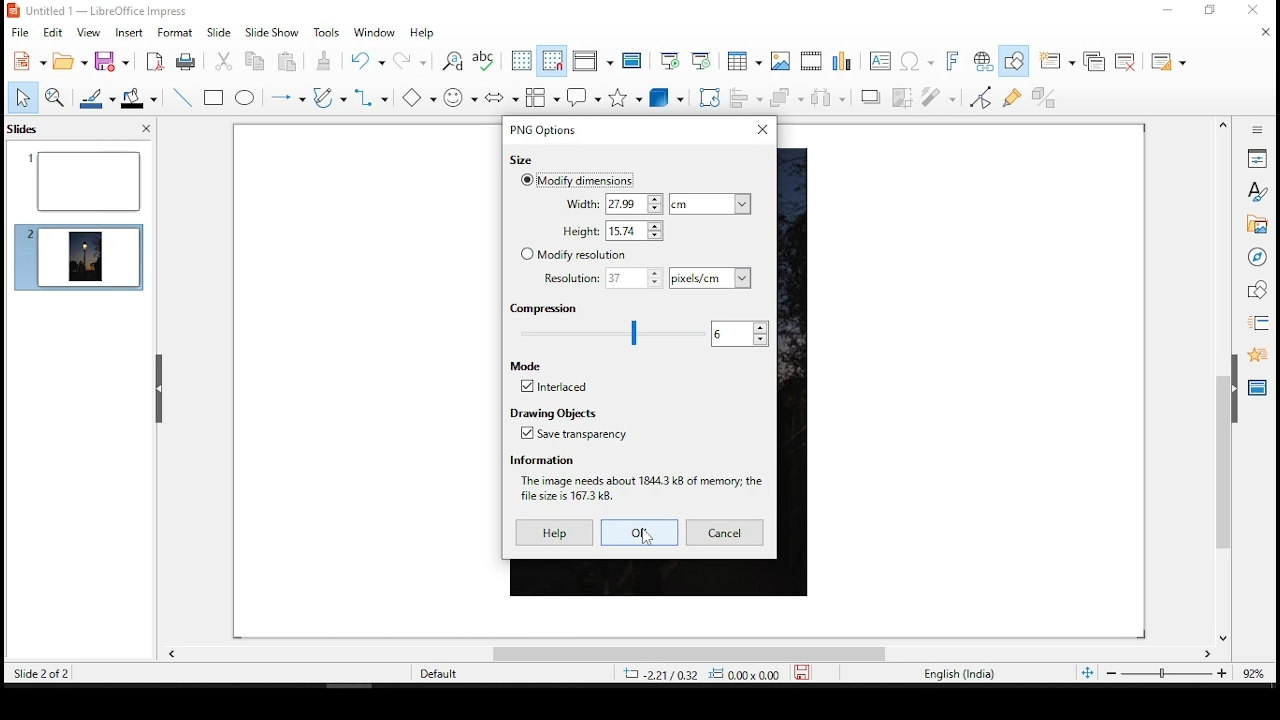  I want to click on navigator, so click(1257, 257).